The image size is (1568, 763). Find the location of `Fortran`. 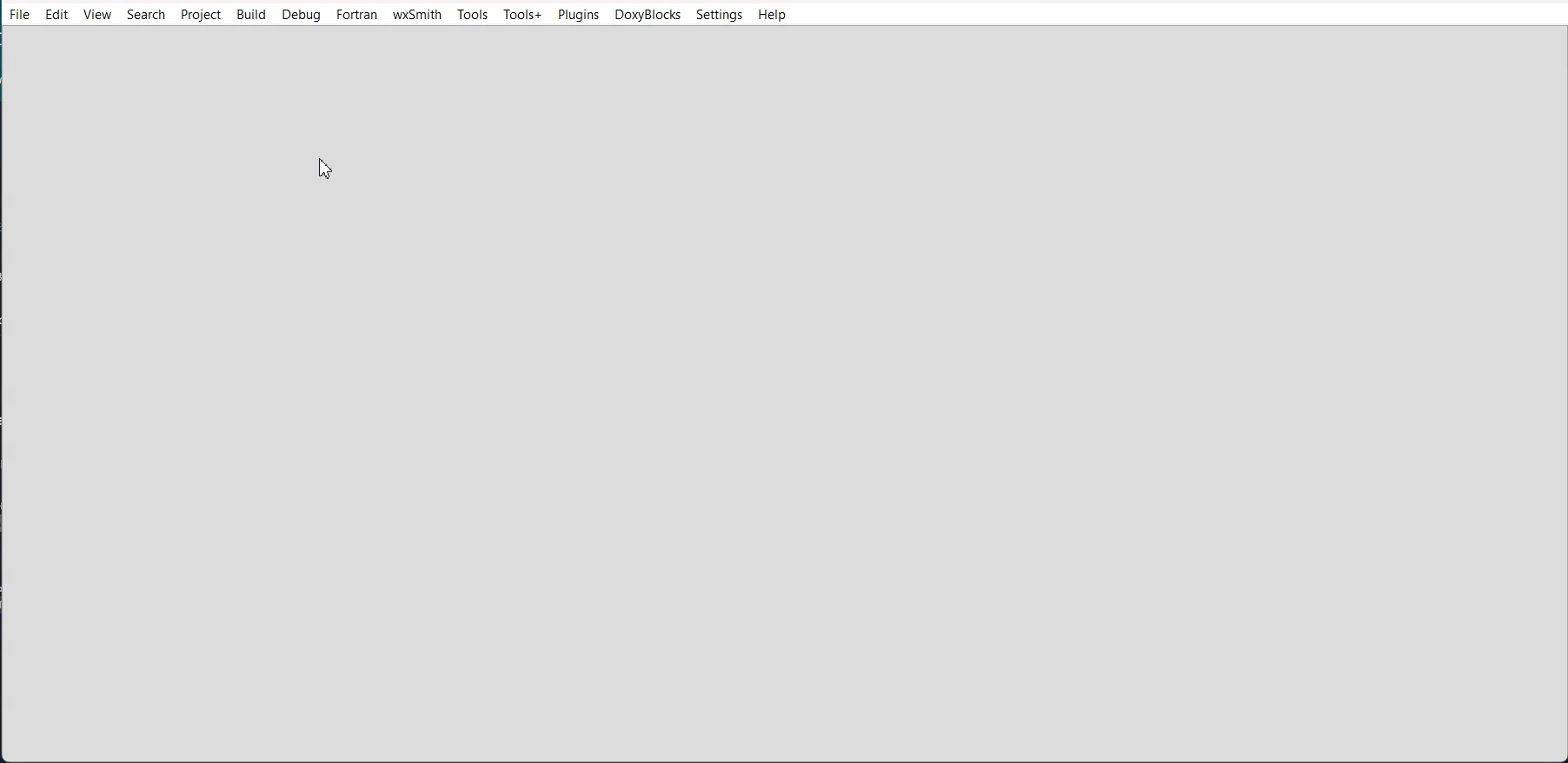

Fortran is located at coordinates (357, 16).